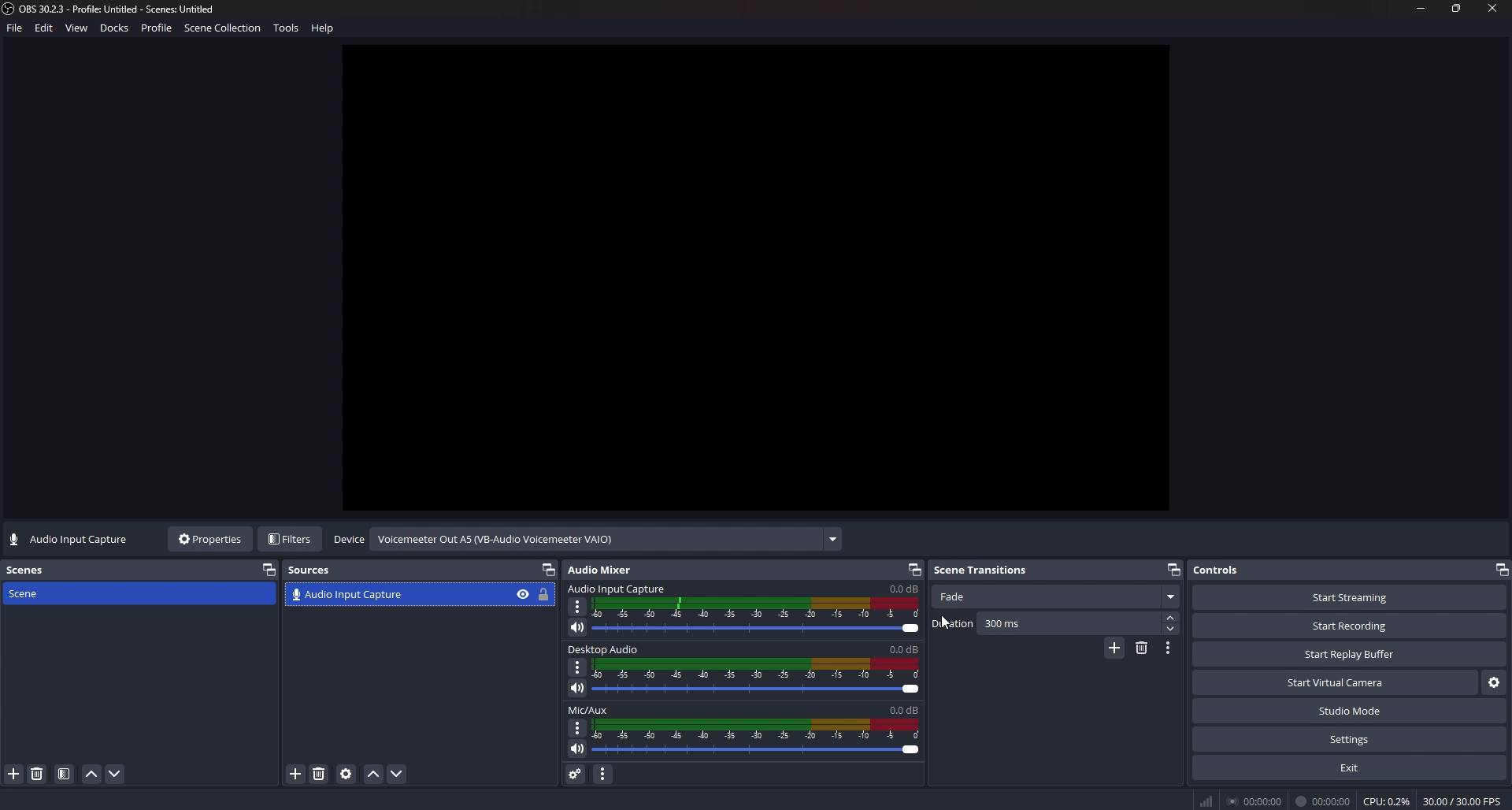  I want to click on audio mixer, so click(608, 569).